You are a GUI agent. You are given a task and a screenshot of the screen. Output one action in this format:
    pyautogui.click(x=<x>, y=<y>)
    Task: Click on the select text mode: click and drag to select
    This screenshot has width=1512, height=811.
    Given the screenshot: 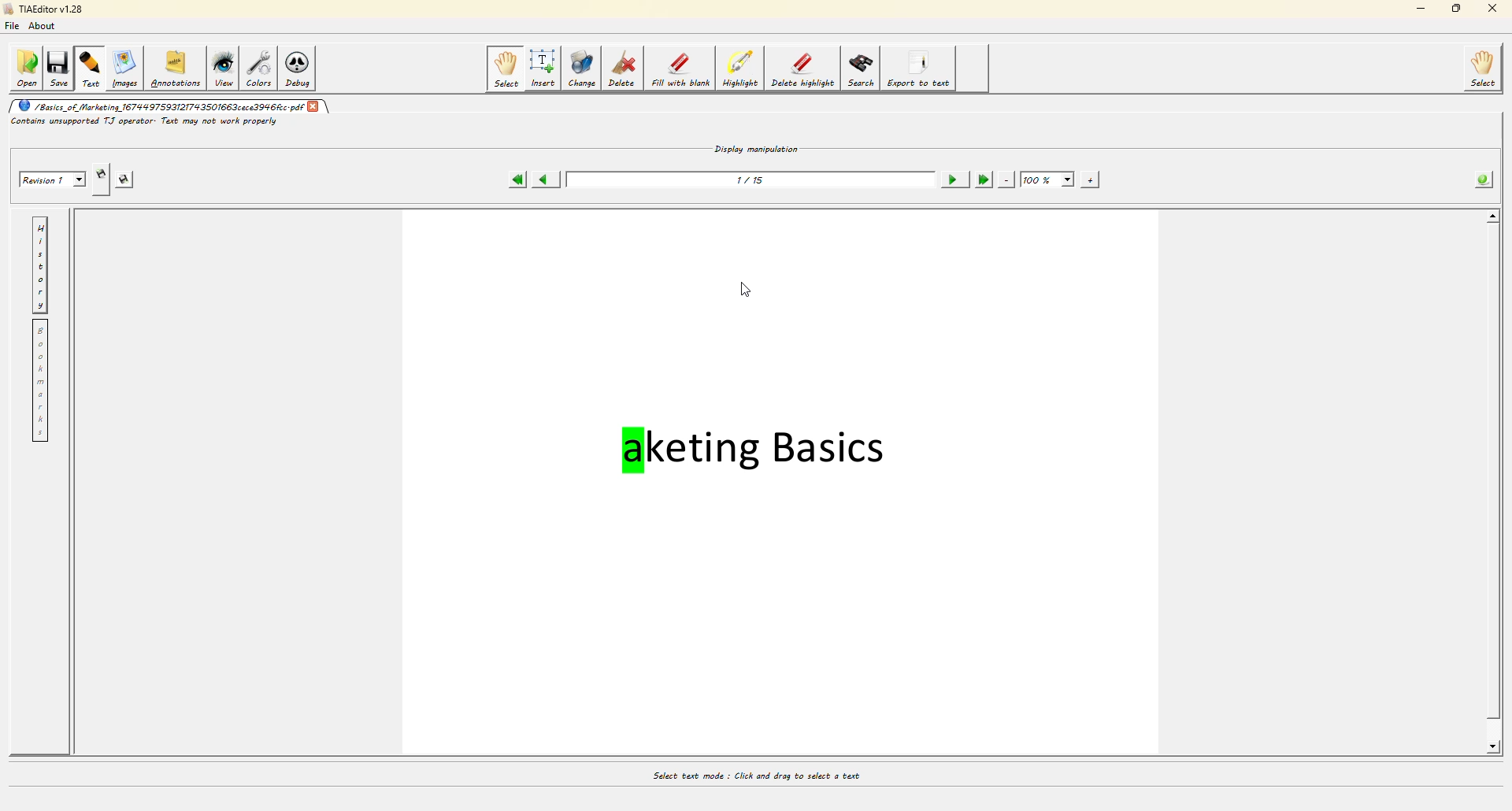 What is the action you would take?
    pyautogui.click(x=752, y=772)
    